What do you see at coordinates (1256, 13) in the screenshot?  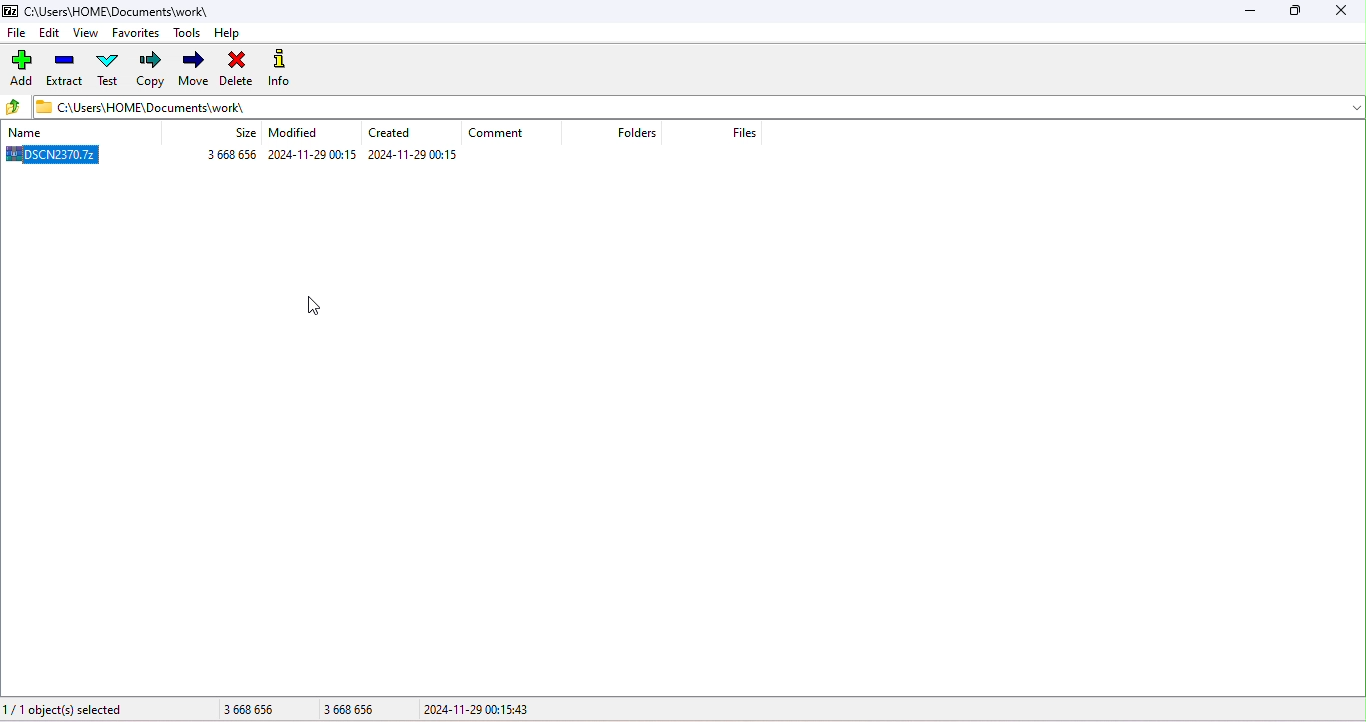 I see `minimize` at bounding box center [1256, 13].